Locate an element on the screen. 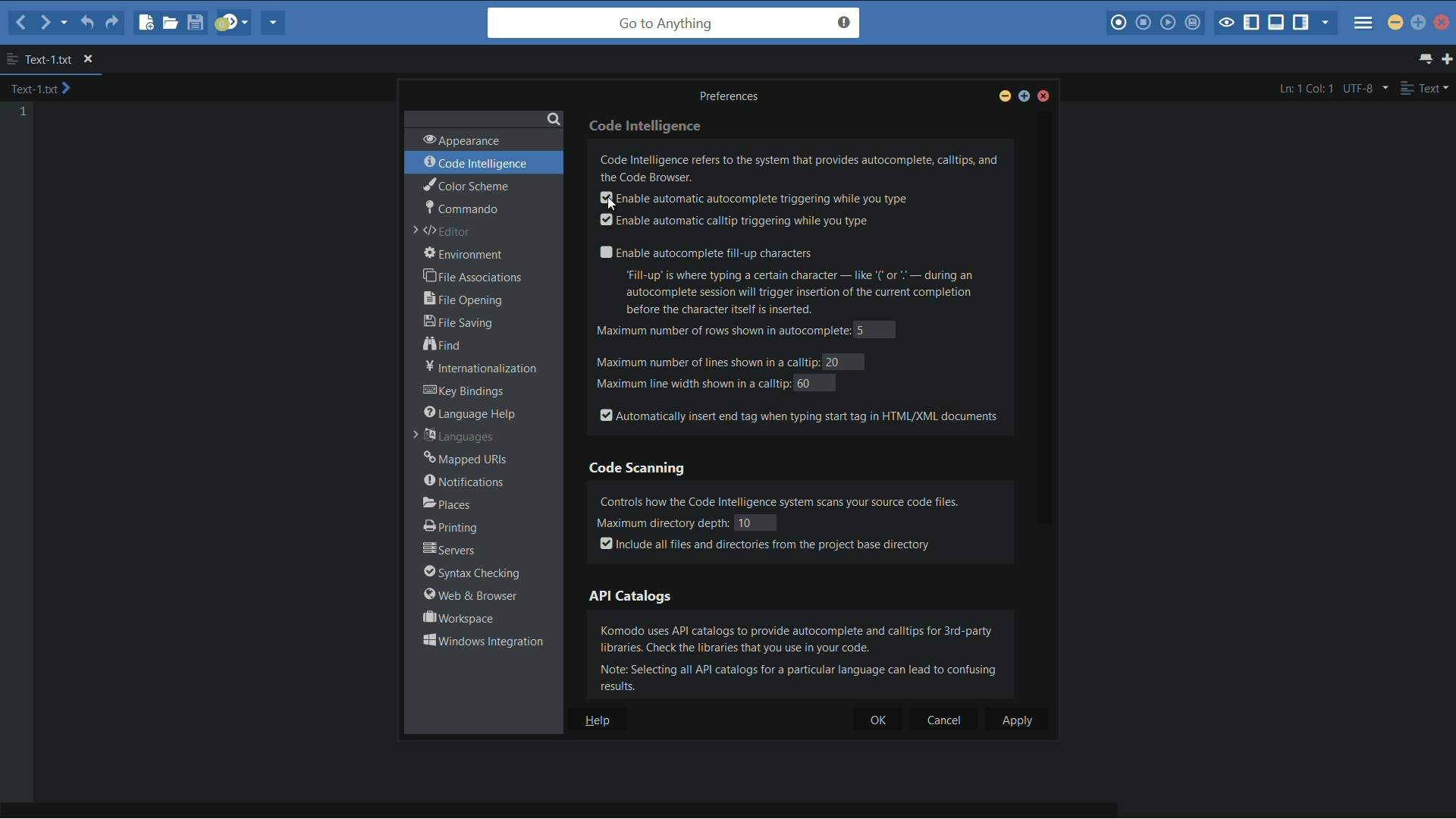 Image resolution: width=1456 pixels, height=819 pixels. internationalization is located at coordinates (477, 368).